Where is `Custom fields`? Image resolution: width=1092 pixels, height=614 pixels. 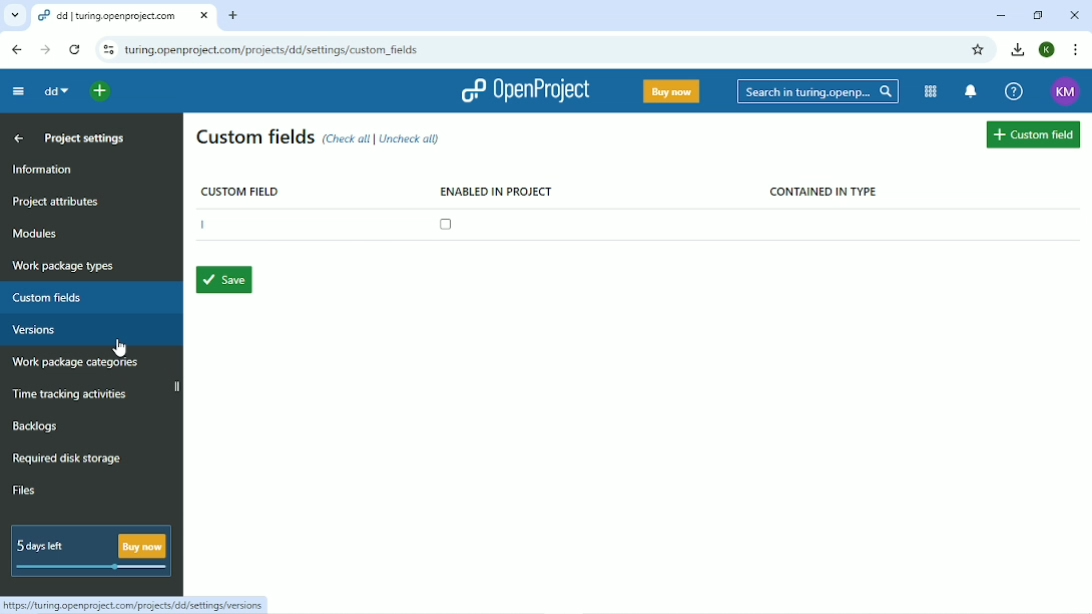
Custom fields is located at coordinates (53, 299).